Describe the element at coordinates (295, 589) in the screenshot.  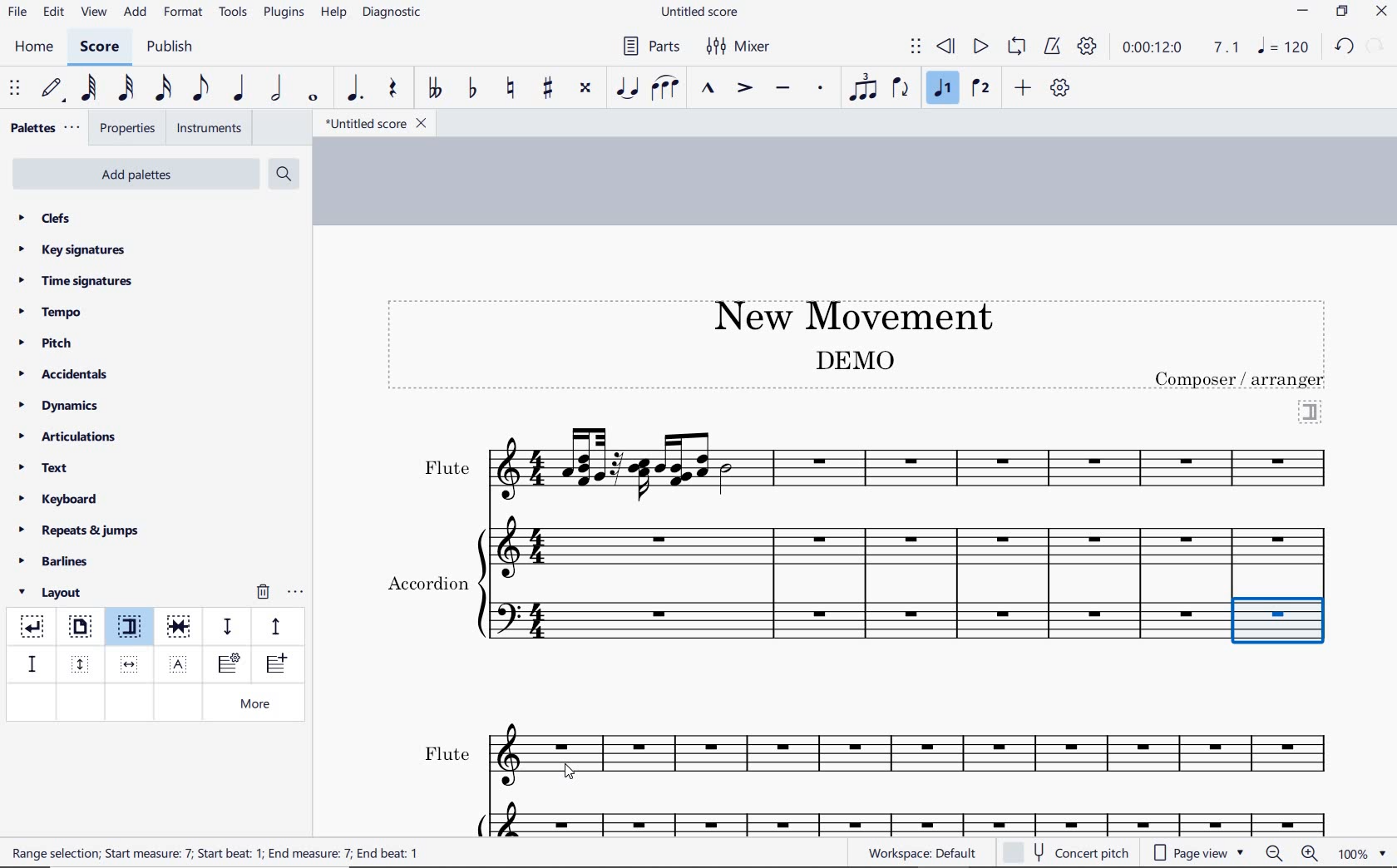
I see `options` at that location.